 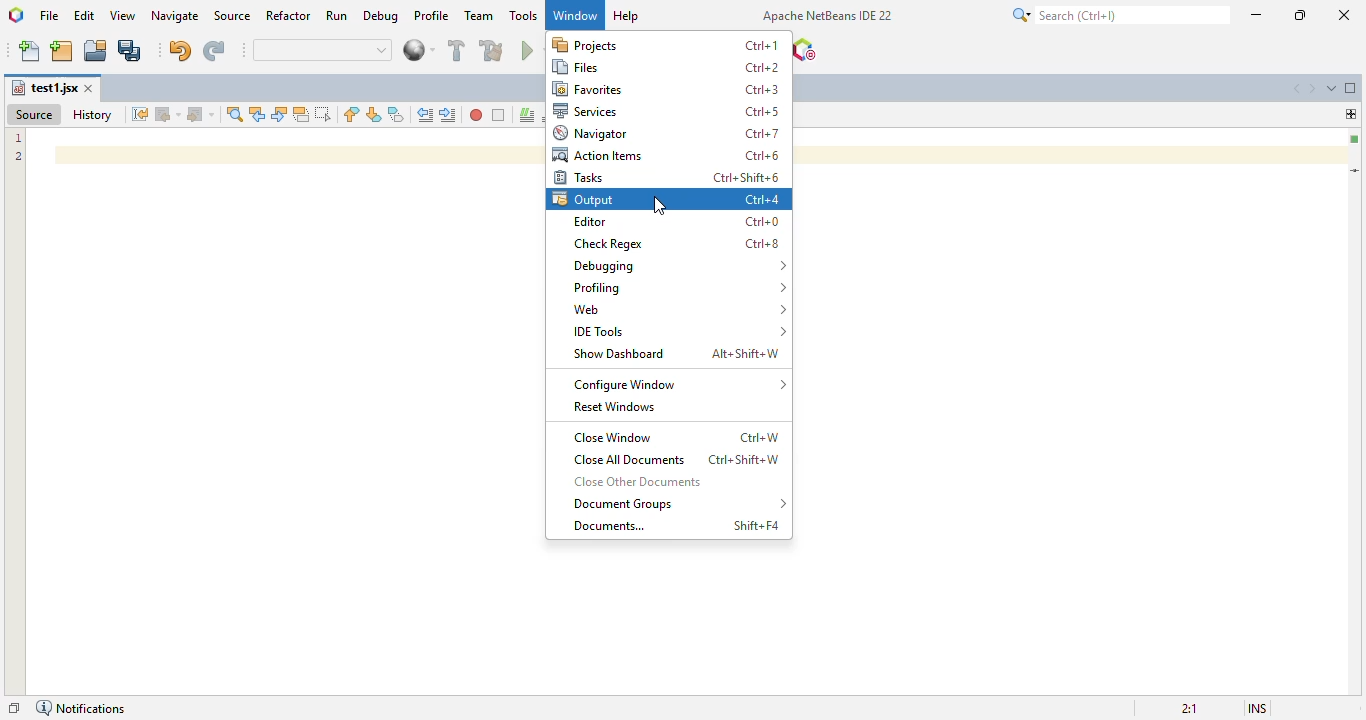 What do you see at coordinates (1257, 15) in the screenshot?
I see `minimize` at bounding box center [1257, 15].